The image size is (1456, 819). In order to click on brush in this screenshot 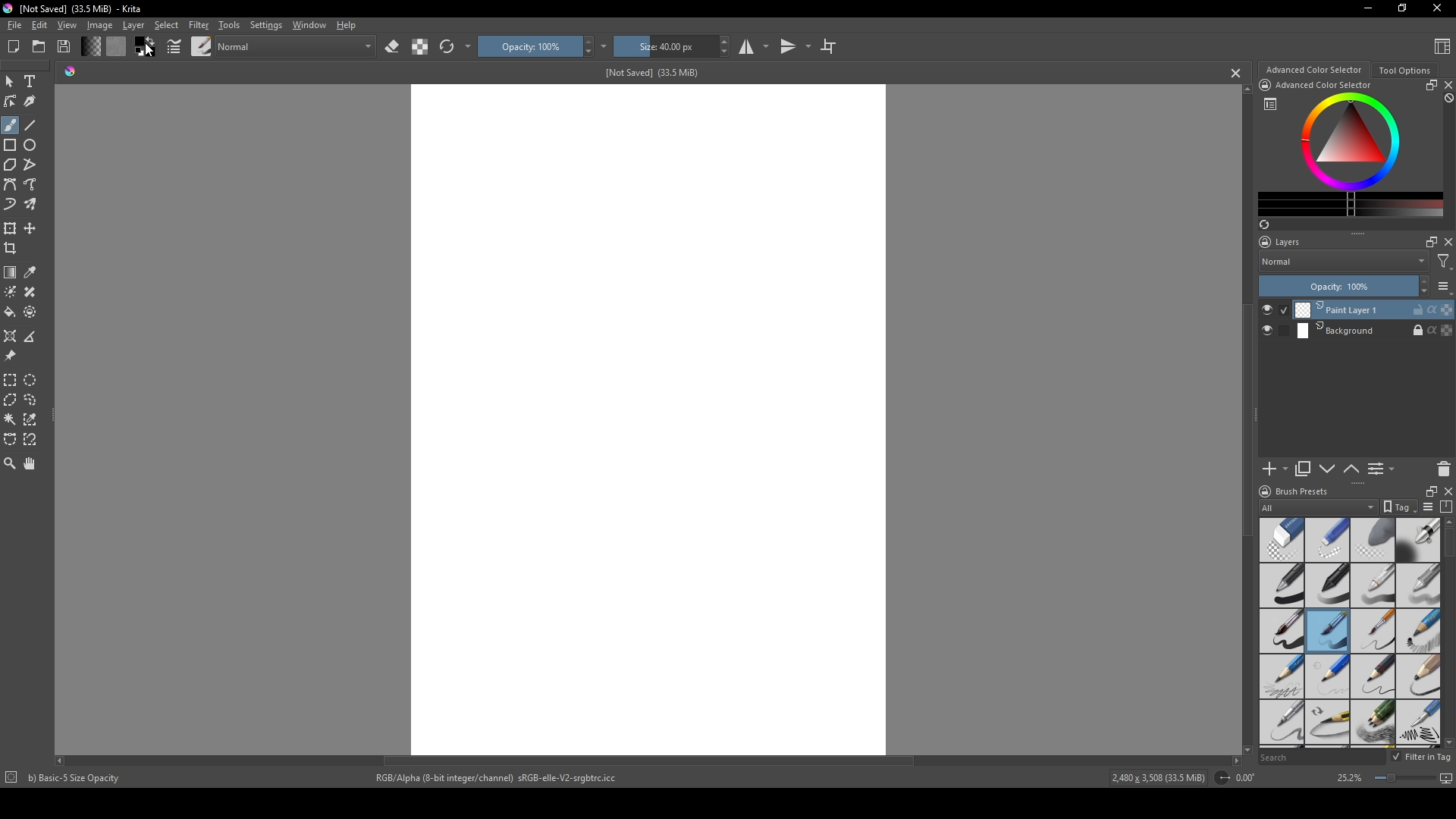, I will do `click(202, 45)`.